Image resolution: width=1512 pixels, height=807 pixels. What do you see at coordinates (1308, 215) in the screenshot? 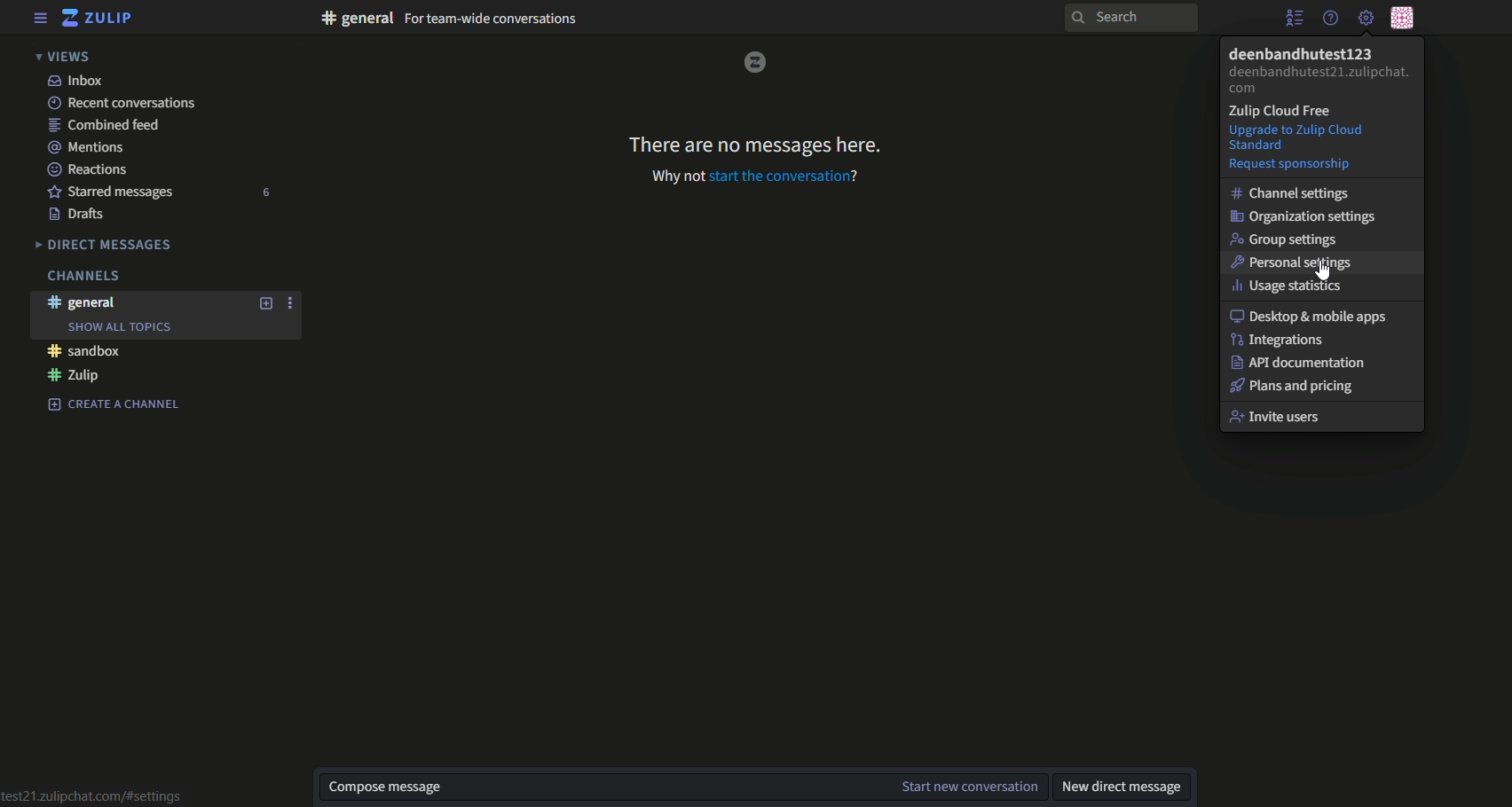
I see `Organization Settings` at bounding box center [1308, 215].